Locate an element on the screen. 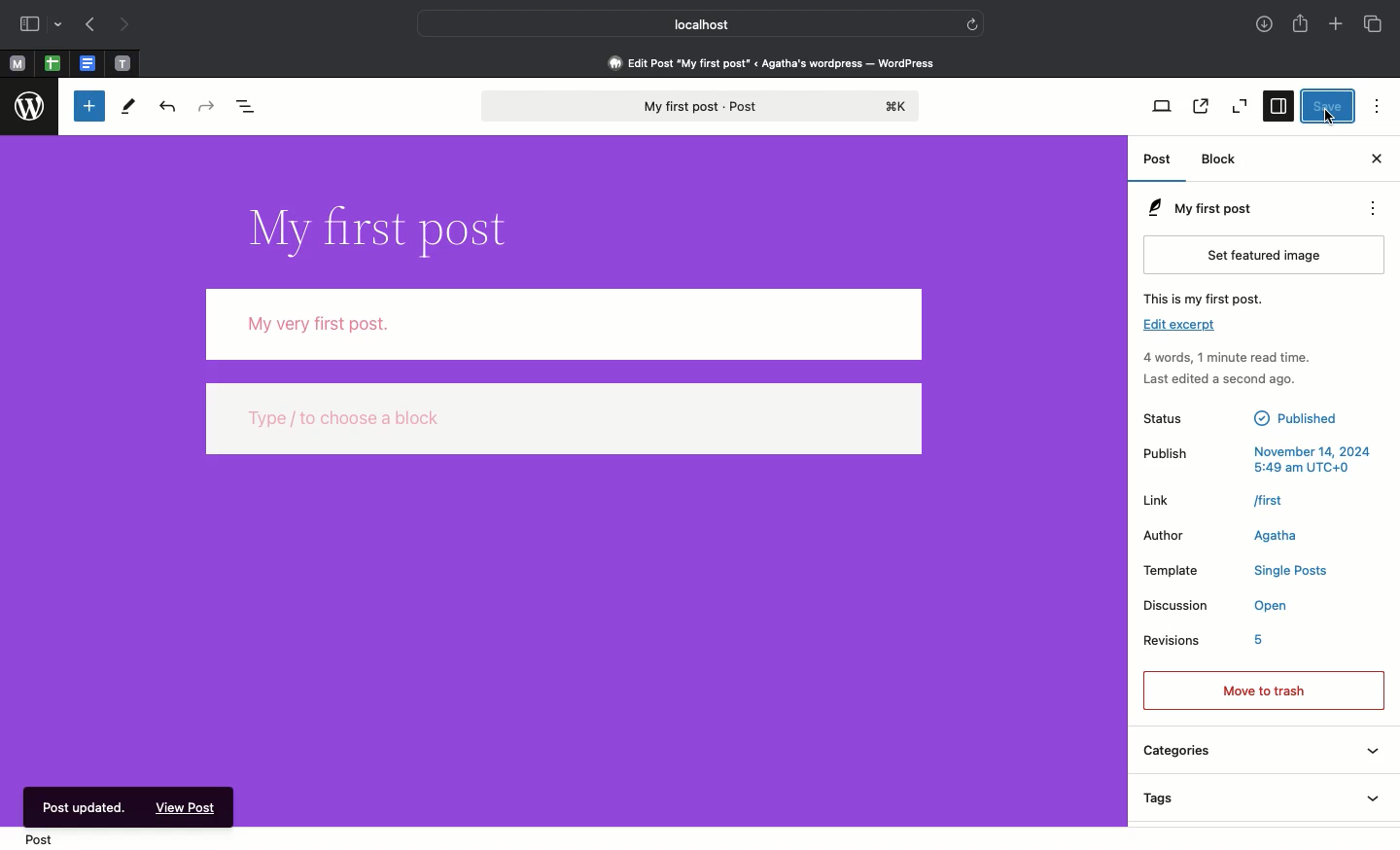 Image resolution: width=1400 pixels, height=850 pixels. Move to trash is located at coordinates (1263, 688).